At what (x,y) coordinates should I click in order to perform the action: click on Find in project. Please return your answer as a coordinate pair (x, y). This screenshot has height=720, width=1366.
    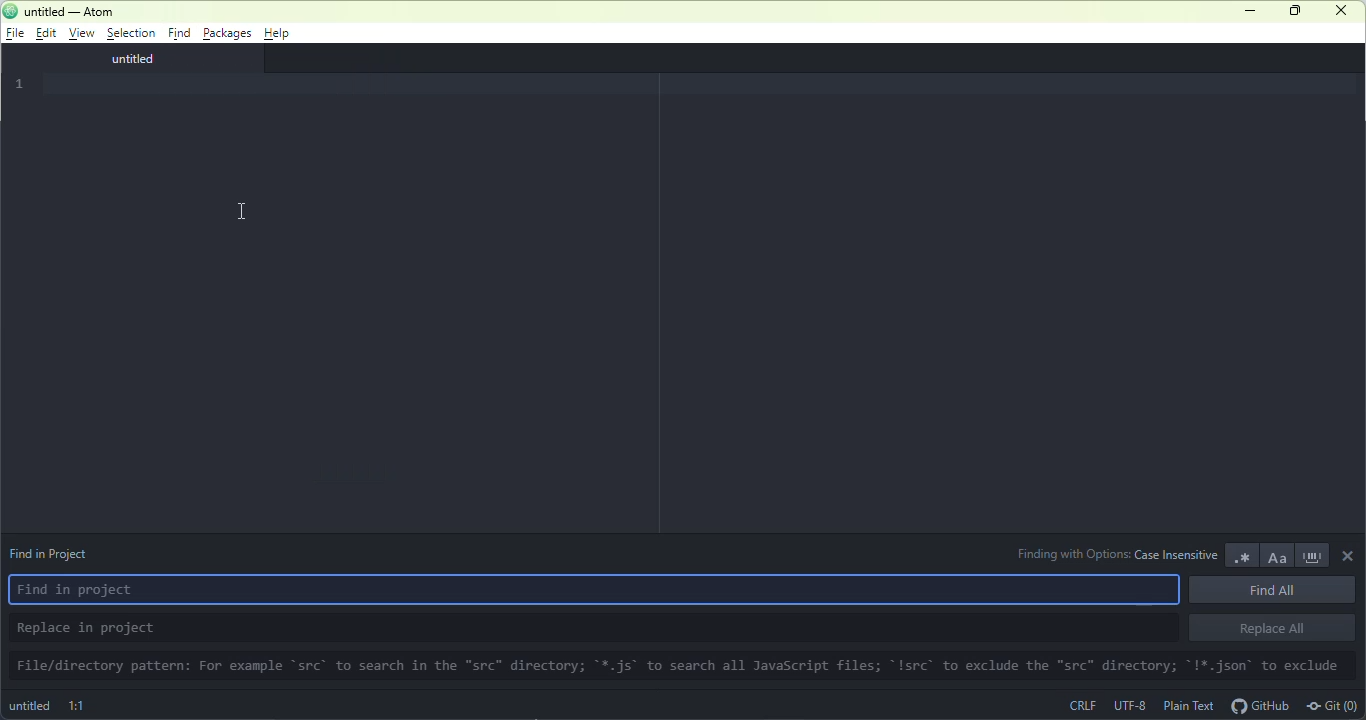
    Looking at the image, I should click on (600, 593).